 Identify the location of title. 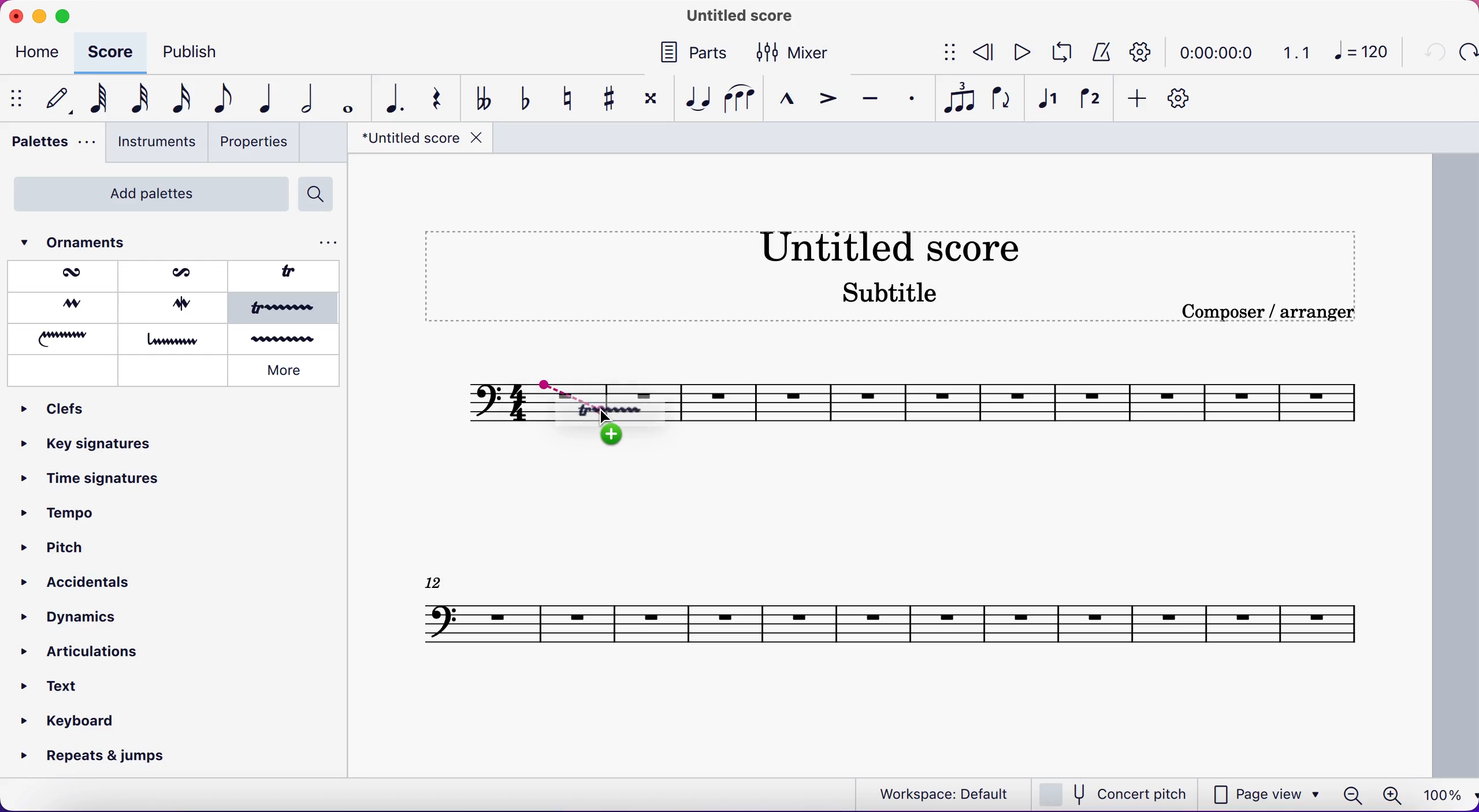
(418, 141).